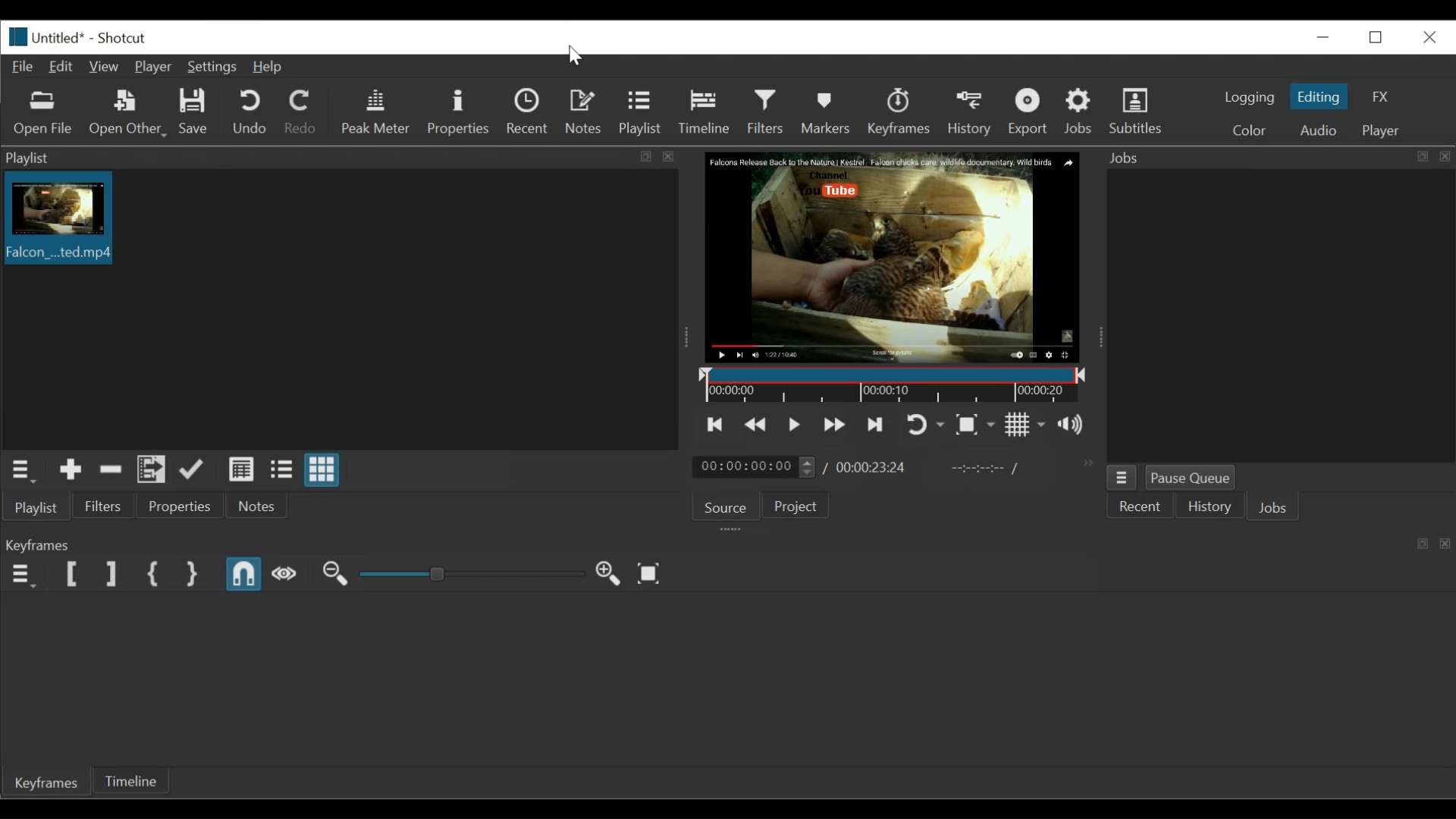  I want to click on Properties, so click(184, 508).